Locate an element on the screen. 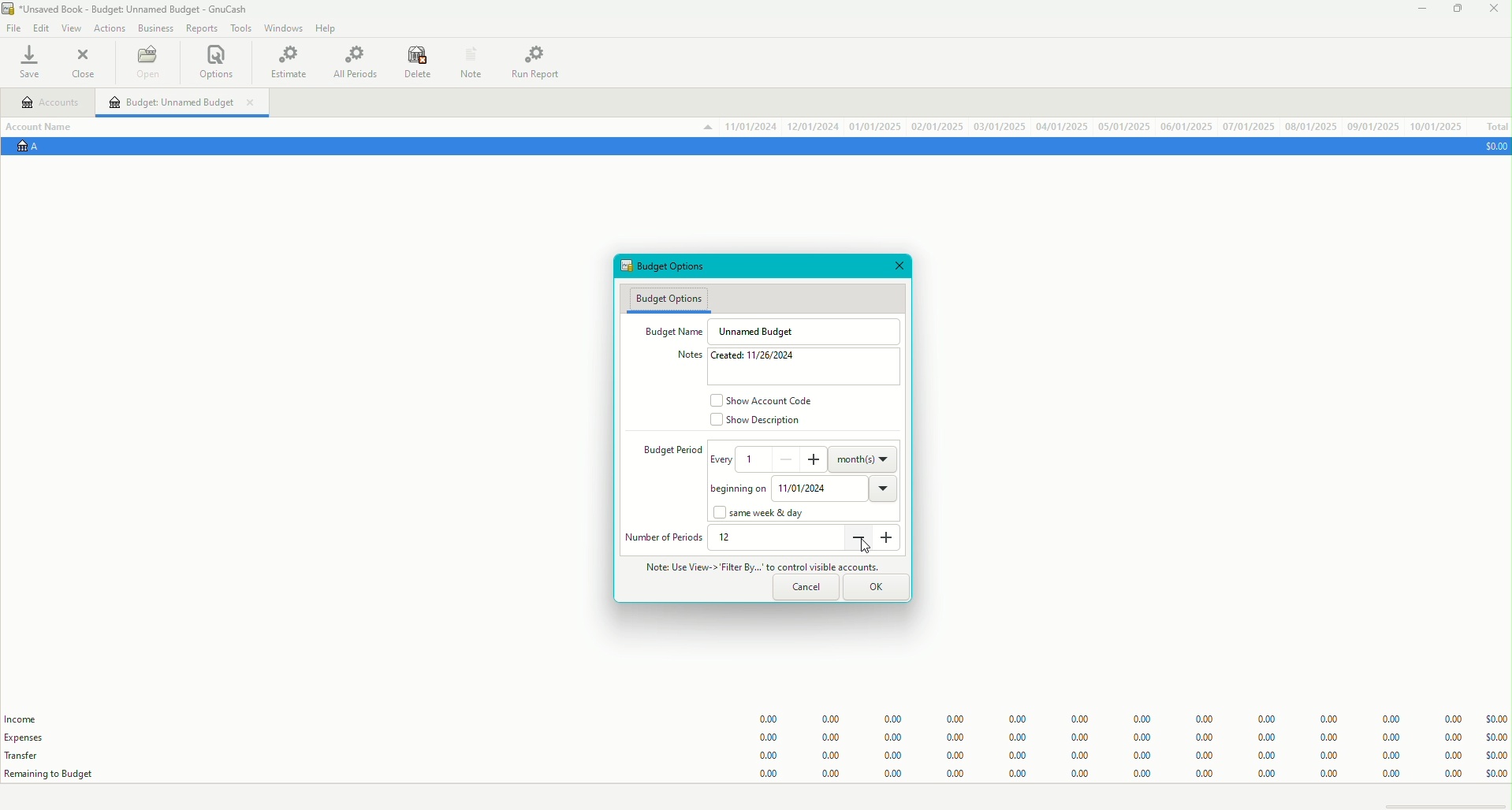 This screenshot has width=1512, height=810. Notes is located at coordinates (469, 61).